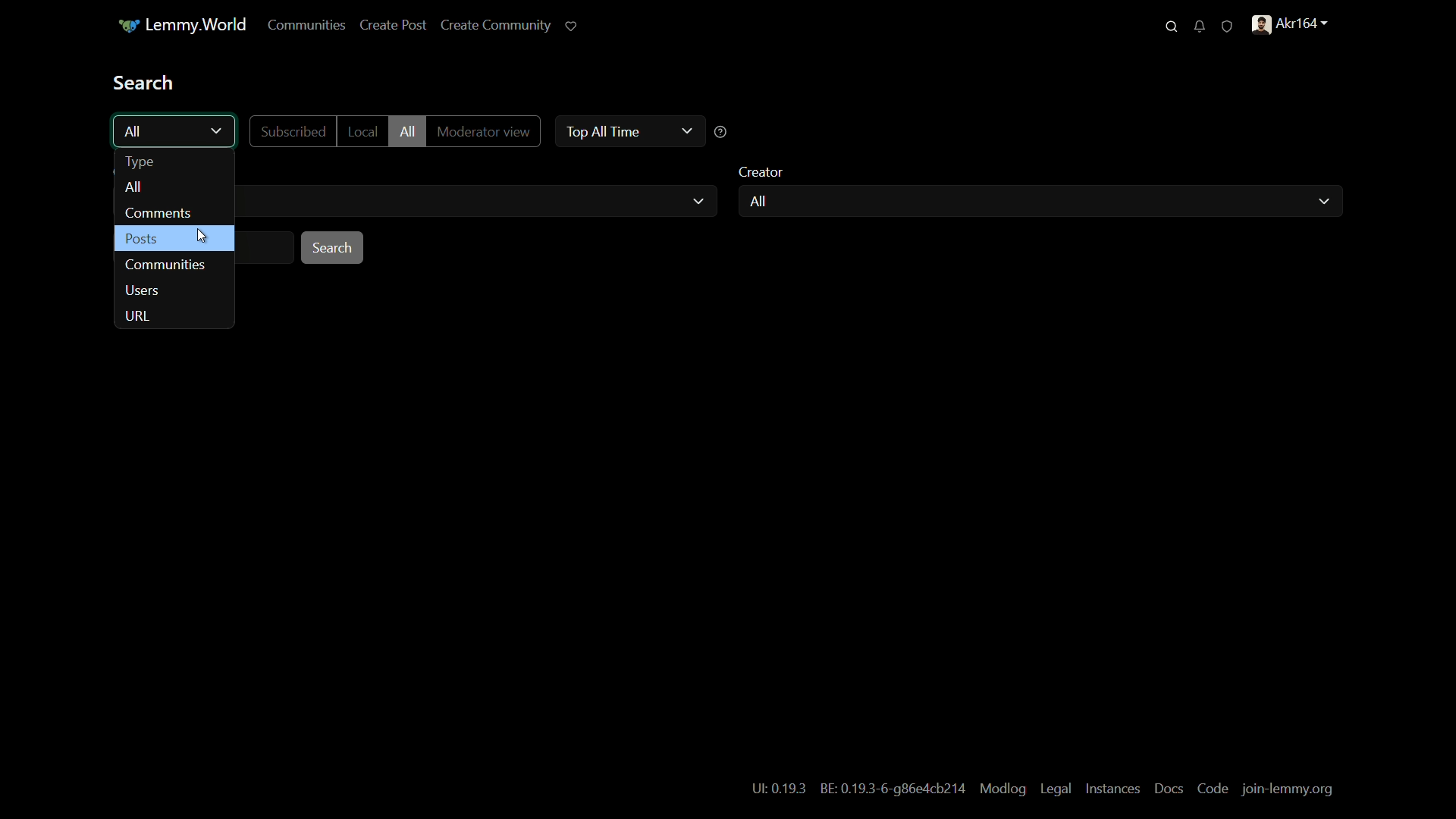 The image size is (1456, 819). Describe the element at coordinates (140, 240) in the screenshot. I see `posts` at that location.